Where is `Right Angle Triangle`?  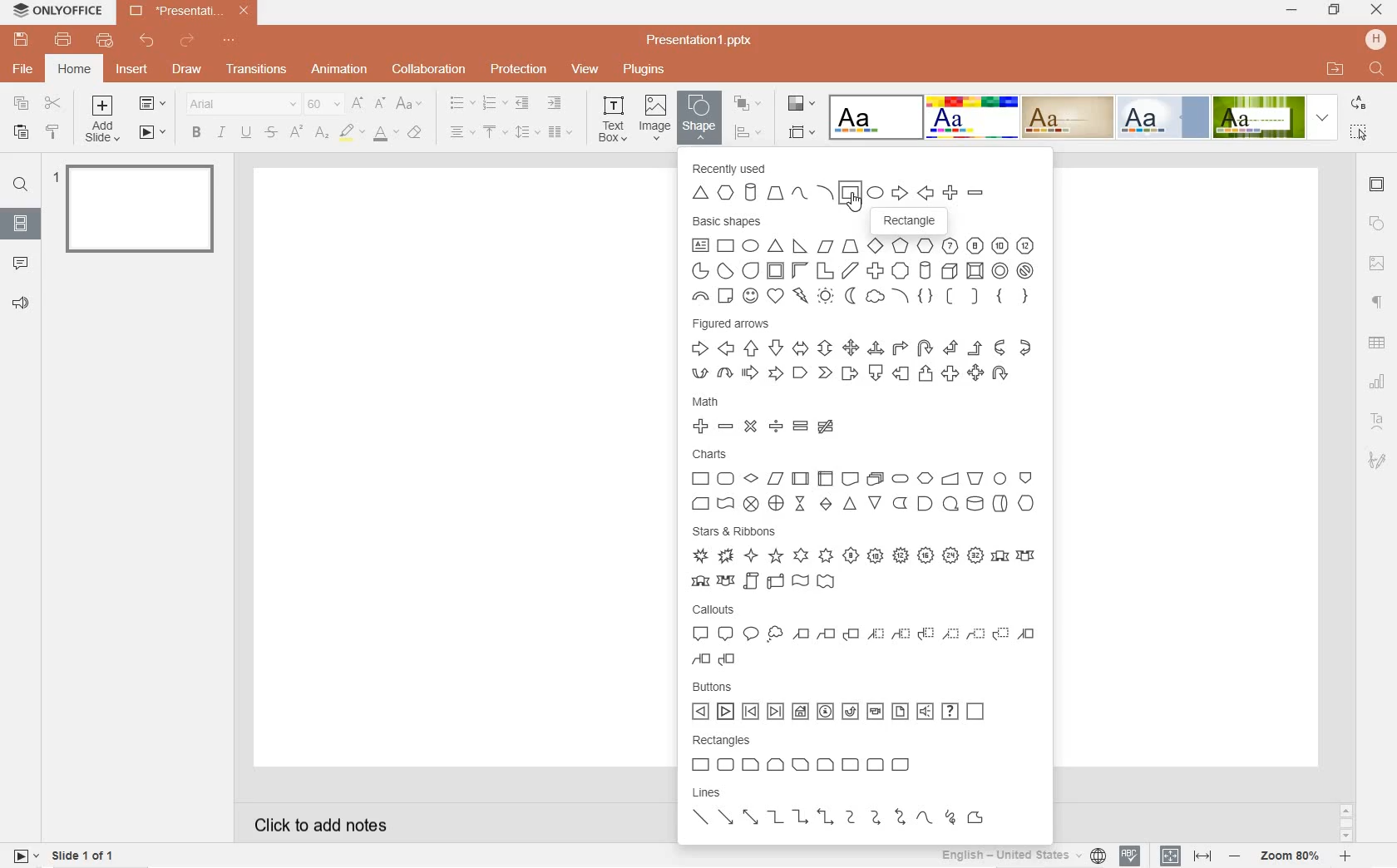
Right Angle Triangle is located at coordinates (800, 248).